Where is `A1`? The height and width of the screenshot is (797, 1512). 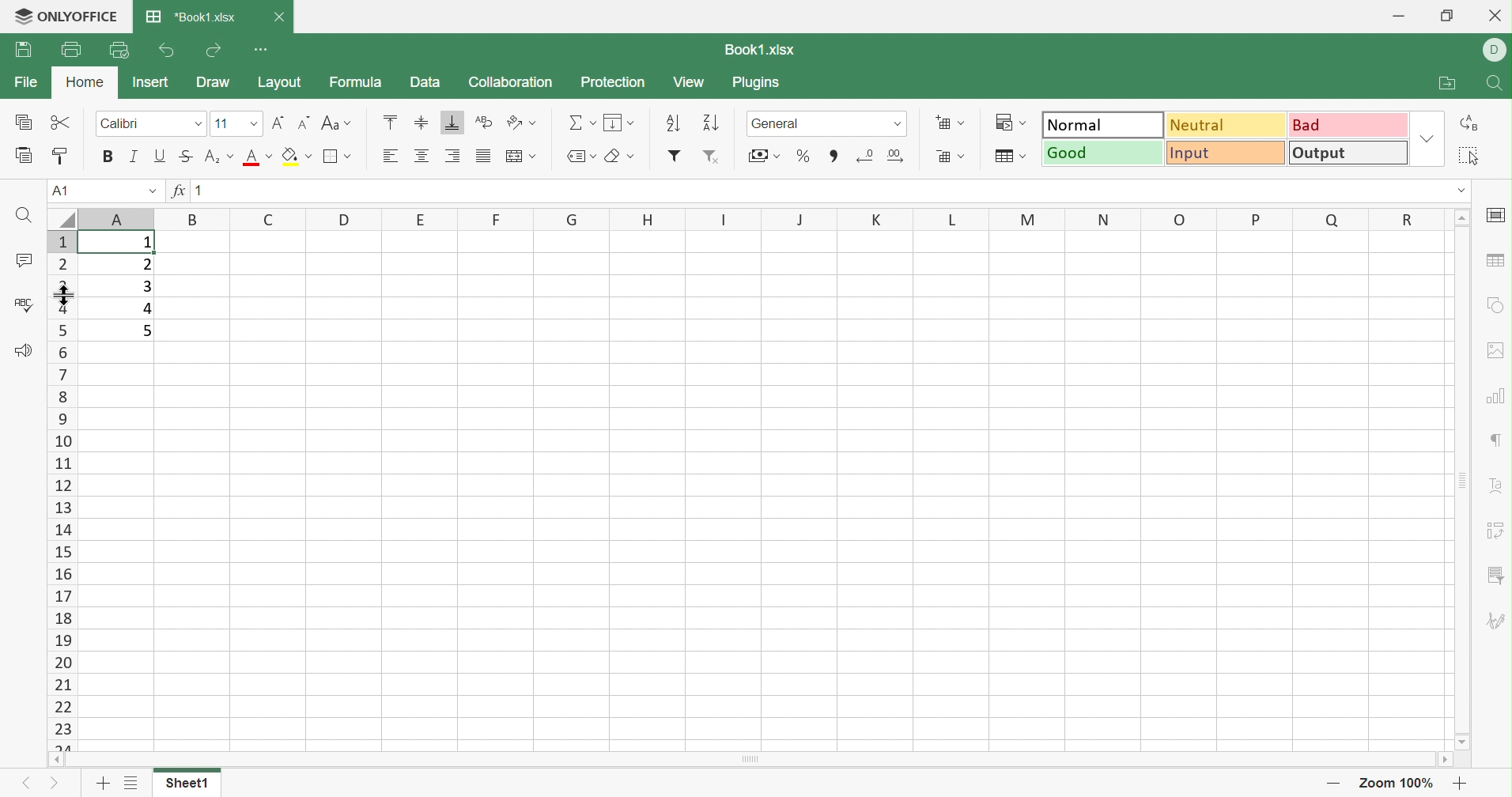 A1 is located at coordinates (63, 190).